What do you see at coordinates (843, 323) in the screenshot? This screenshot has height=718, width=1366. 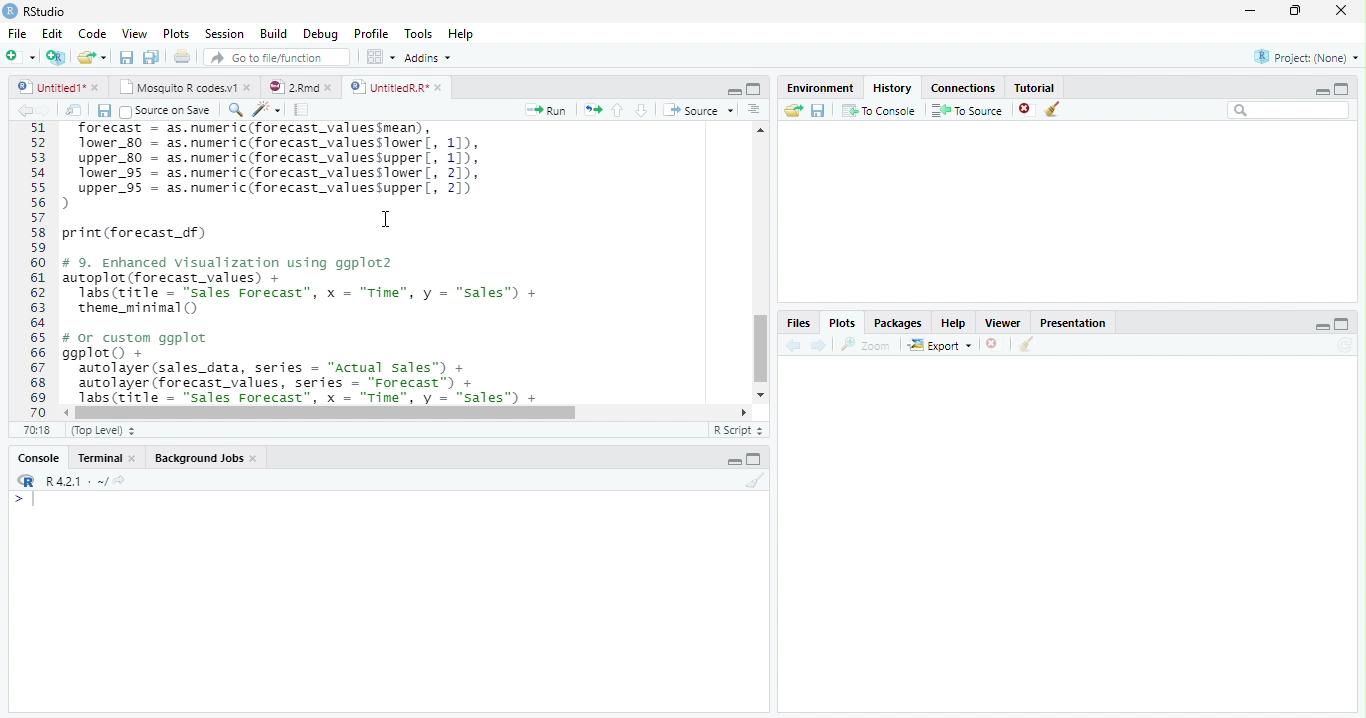 I see `Plots` at bounding box center [843, 323].